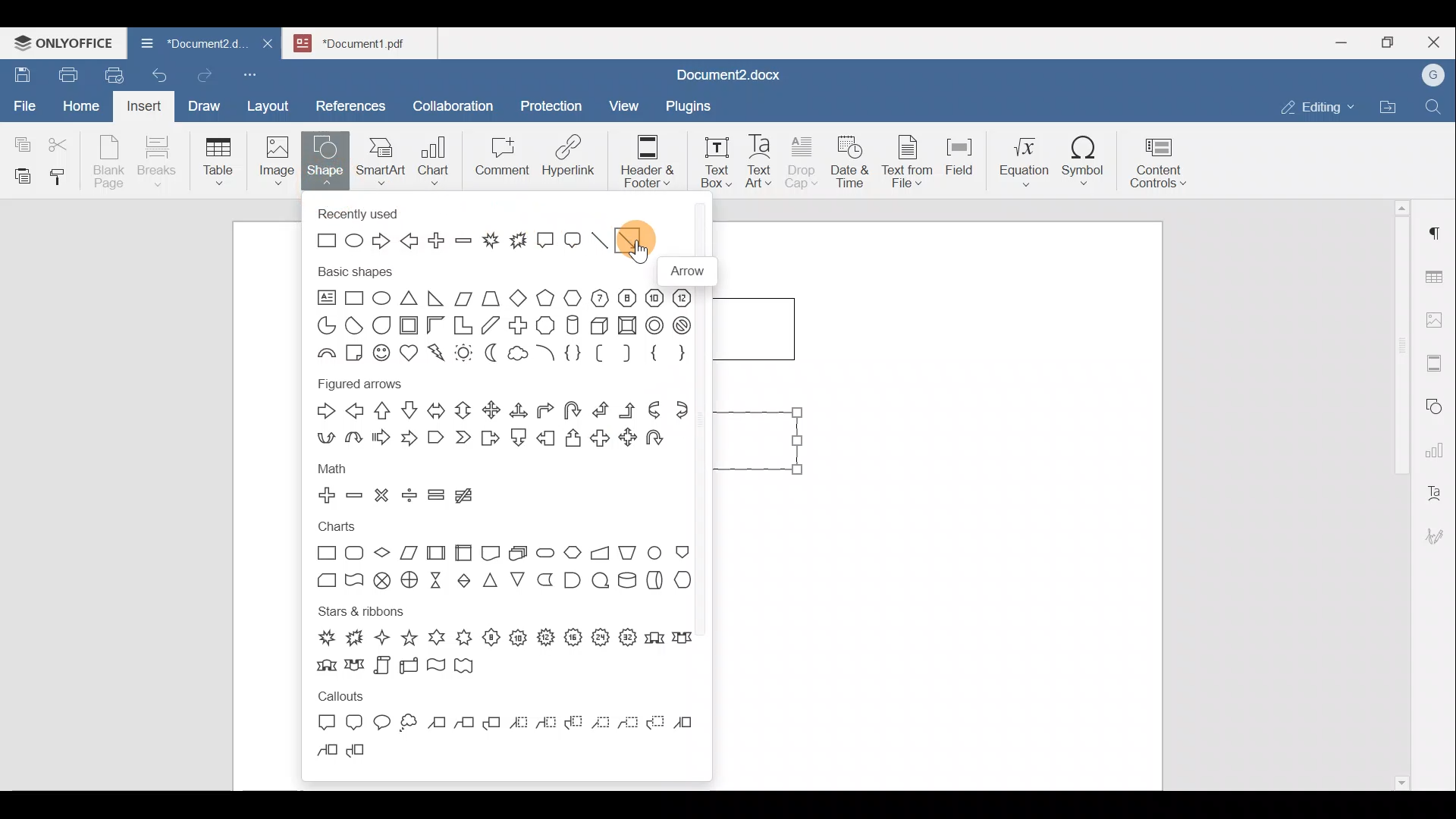  I want to click on Redo, so click(204, 76).